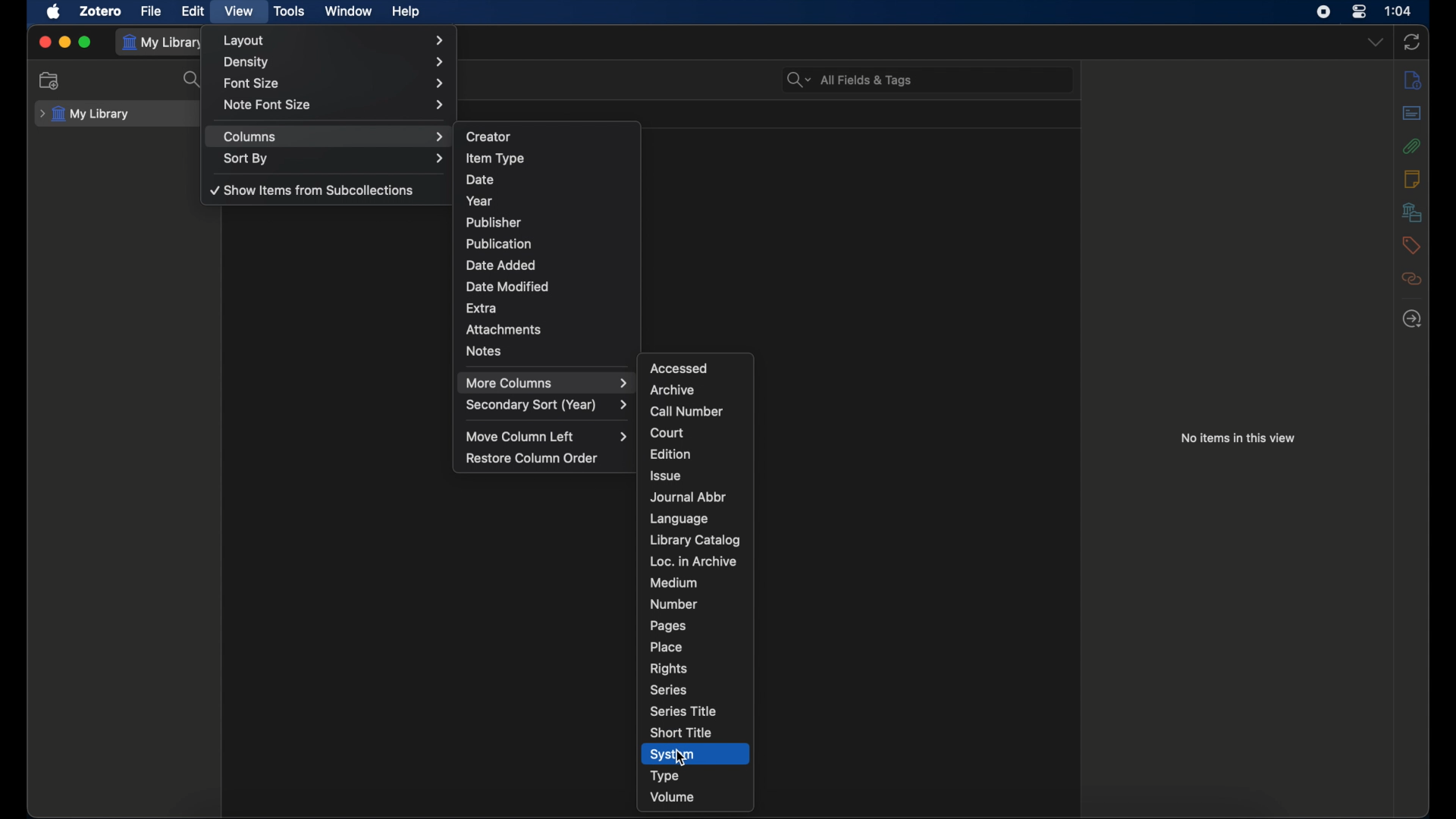 Image resolution: width=1456 pixels, height=819 pixels. I want to click on edition, so click(670, 453).